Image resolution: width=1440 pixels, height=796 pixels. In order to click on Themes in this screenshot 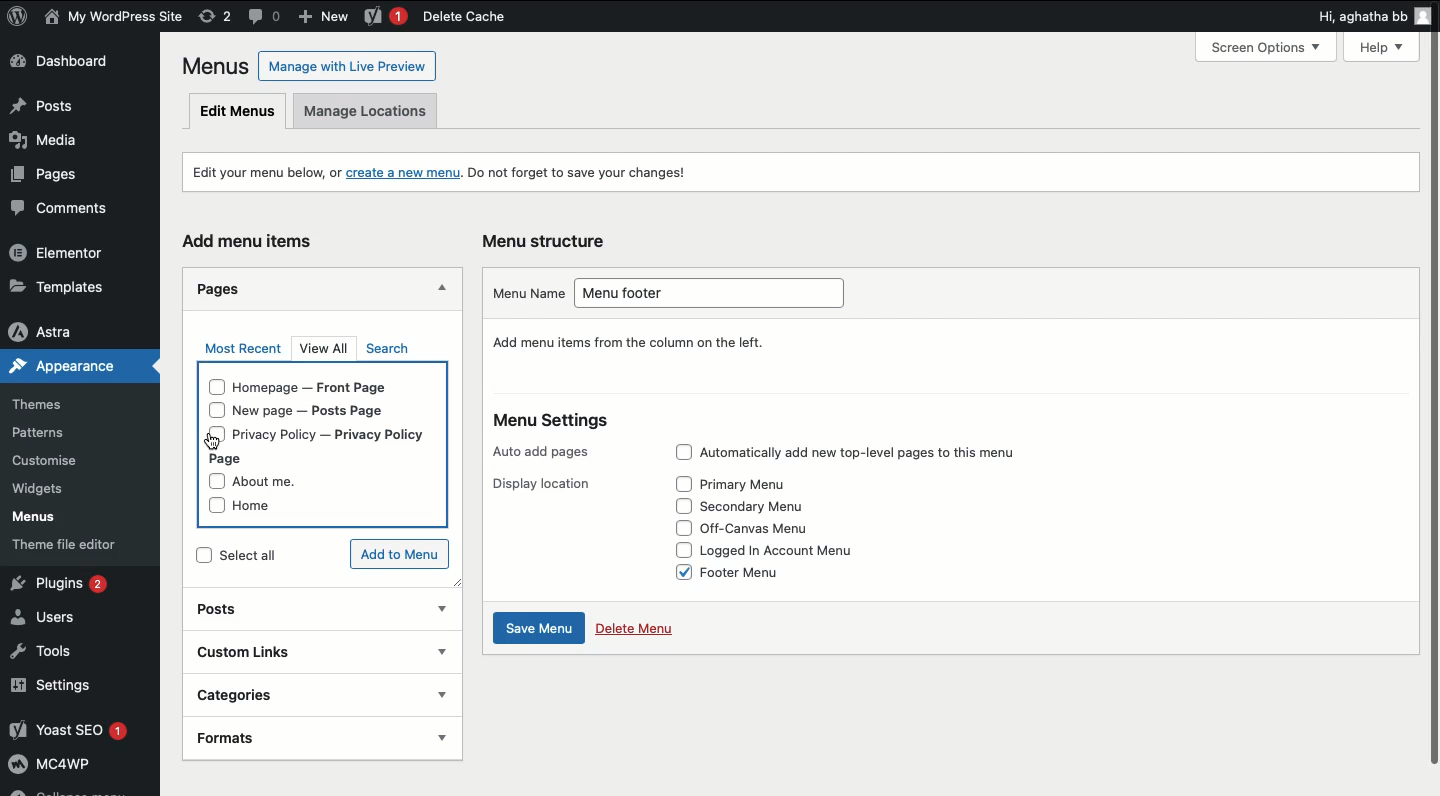, I will do `click(50, 401)`.